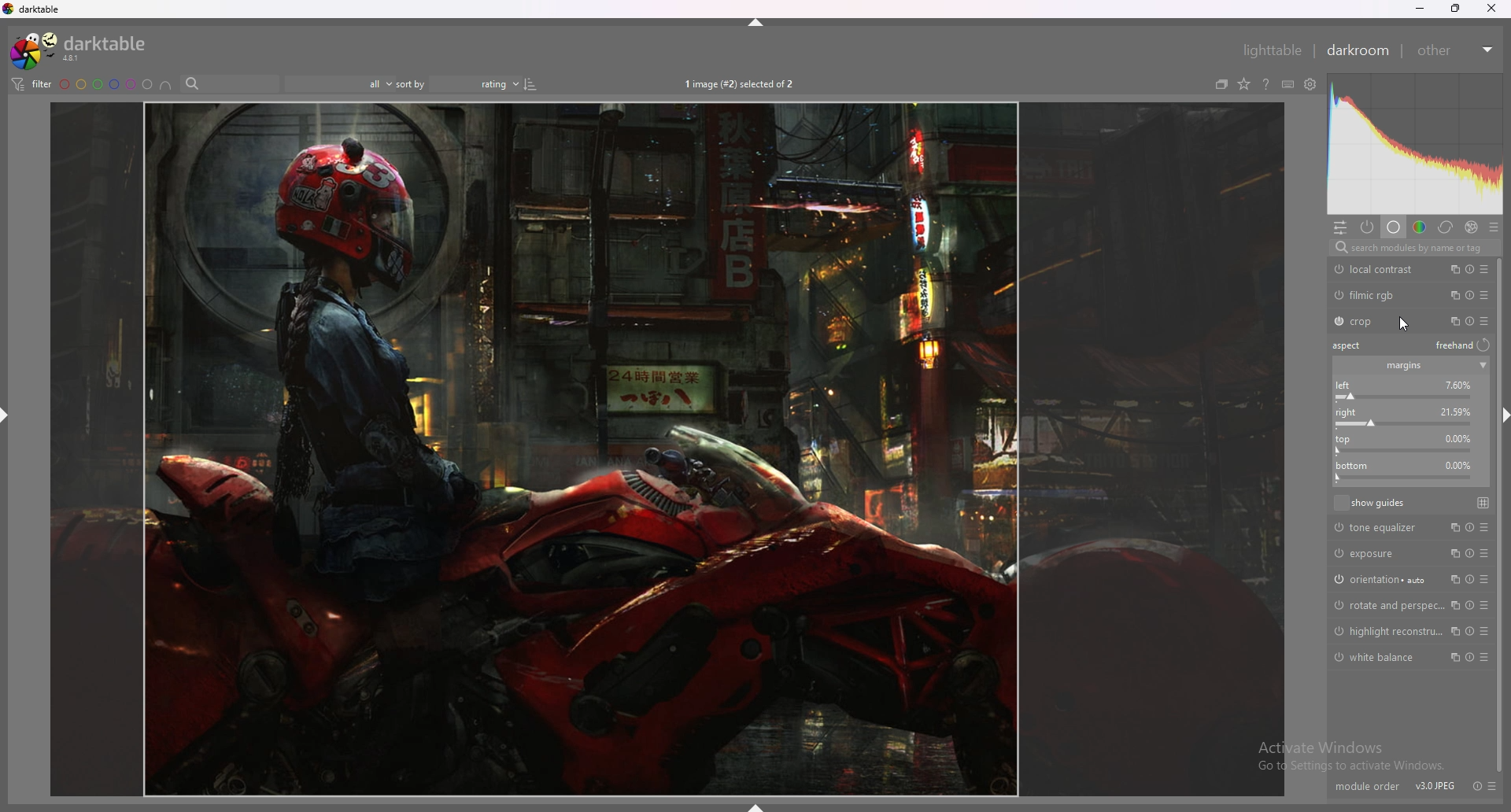 The height and width of the screenshot is (812, 1511). I want to click on close, so click(1491, 9).